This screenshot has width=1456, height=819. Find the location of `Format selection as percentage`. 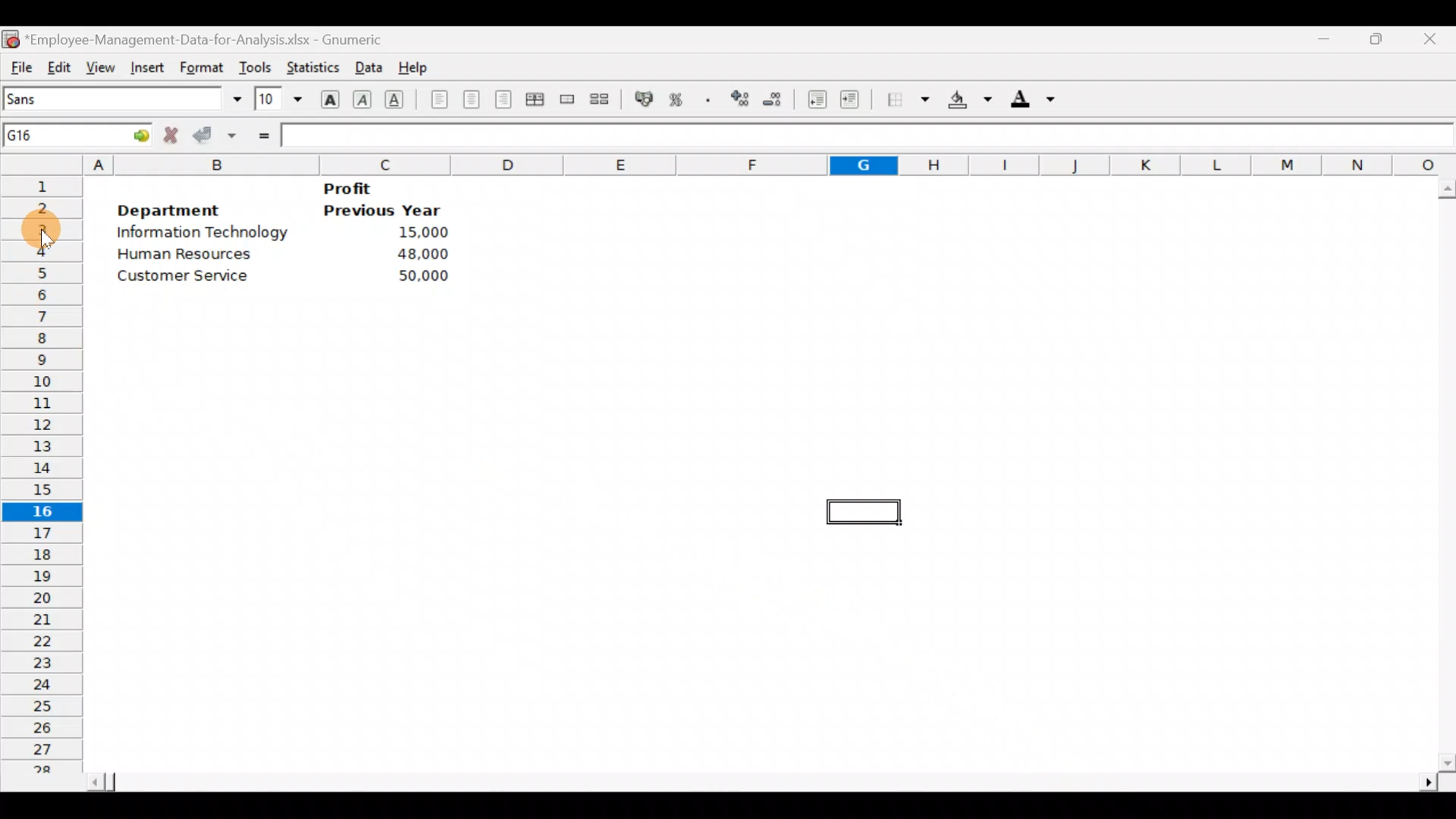

Format selection as percentage is located at coordinates (681, 99).